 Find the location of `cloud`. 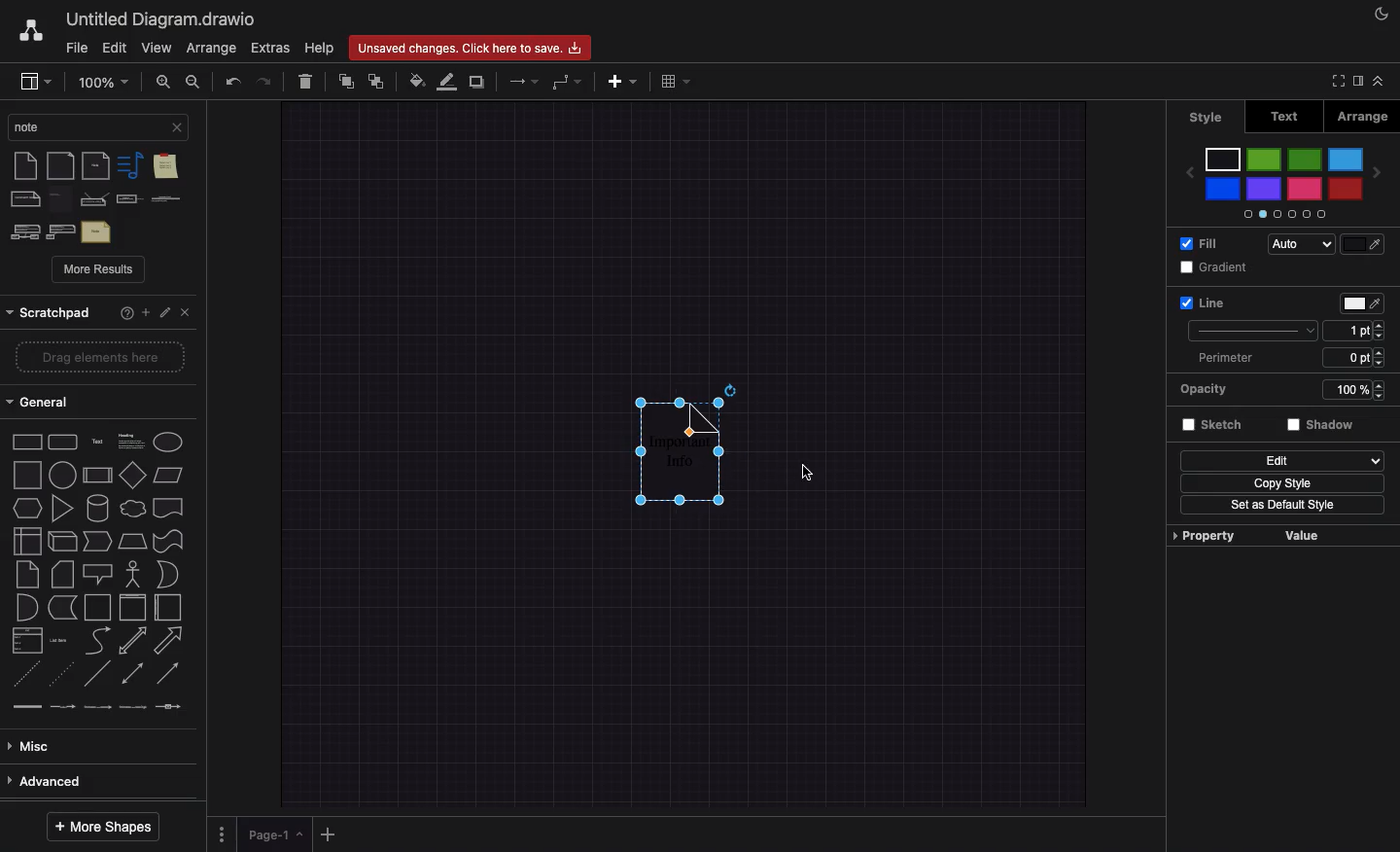

cloud is located at coordinates (134, 510).